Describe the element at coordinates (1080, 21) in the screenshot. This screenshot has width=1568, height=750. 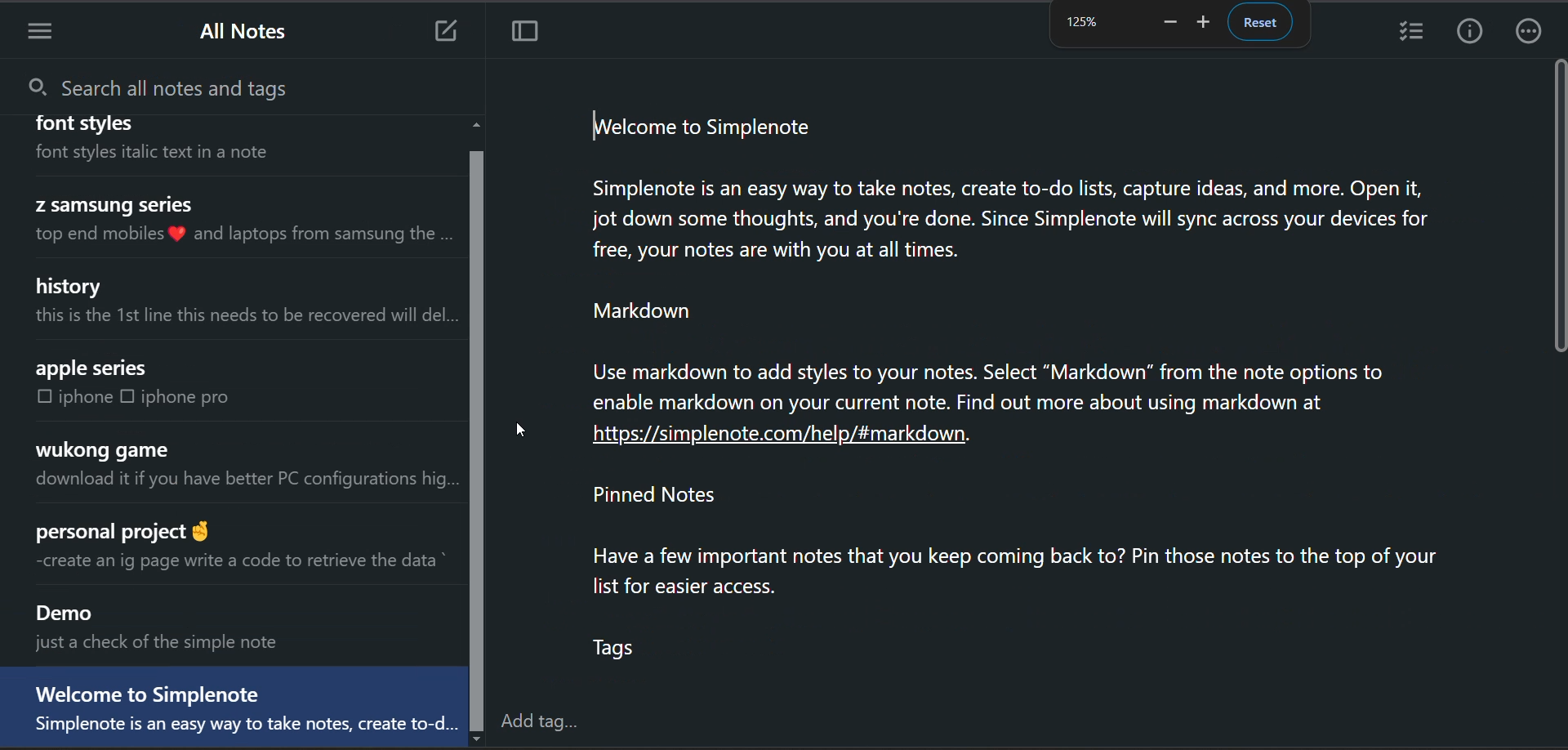
I see `zoom factor` at that location.